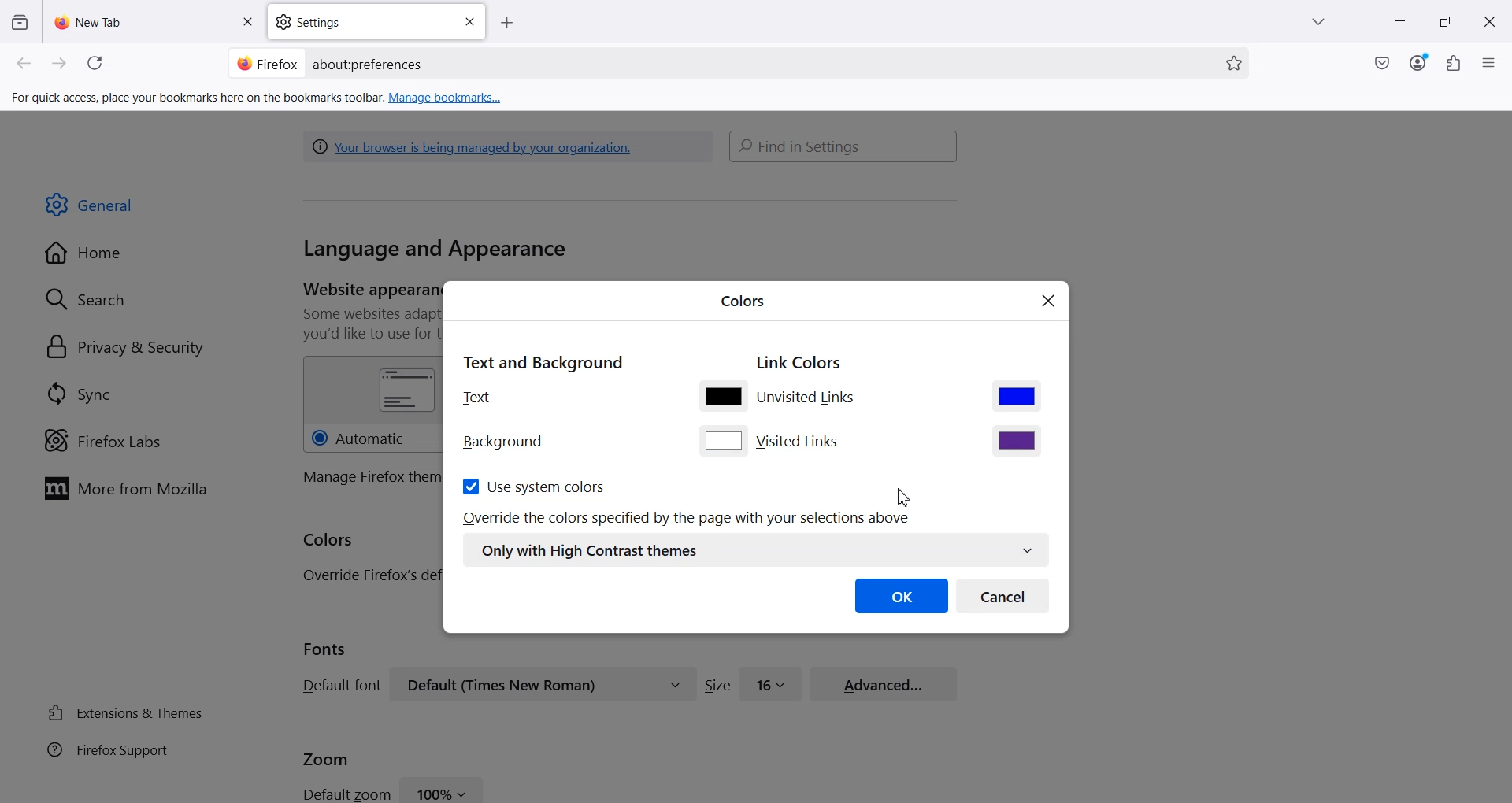 This screenshot has width=1512, height=803. Describe the element at coordinates (477, 397) in the screenshot. I see `Text` at that location.